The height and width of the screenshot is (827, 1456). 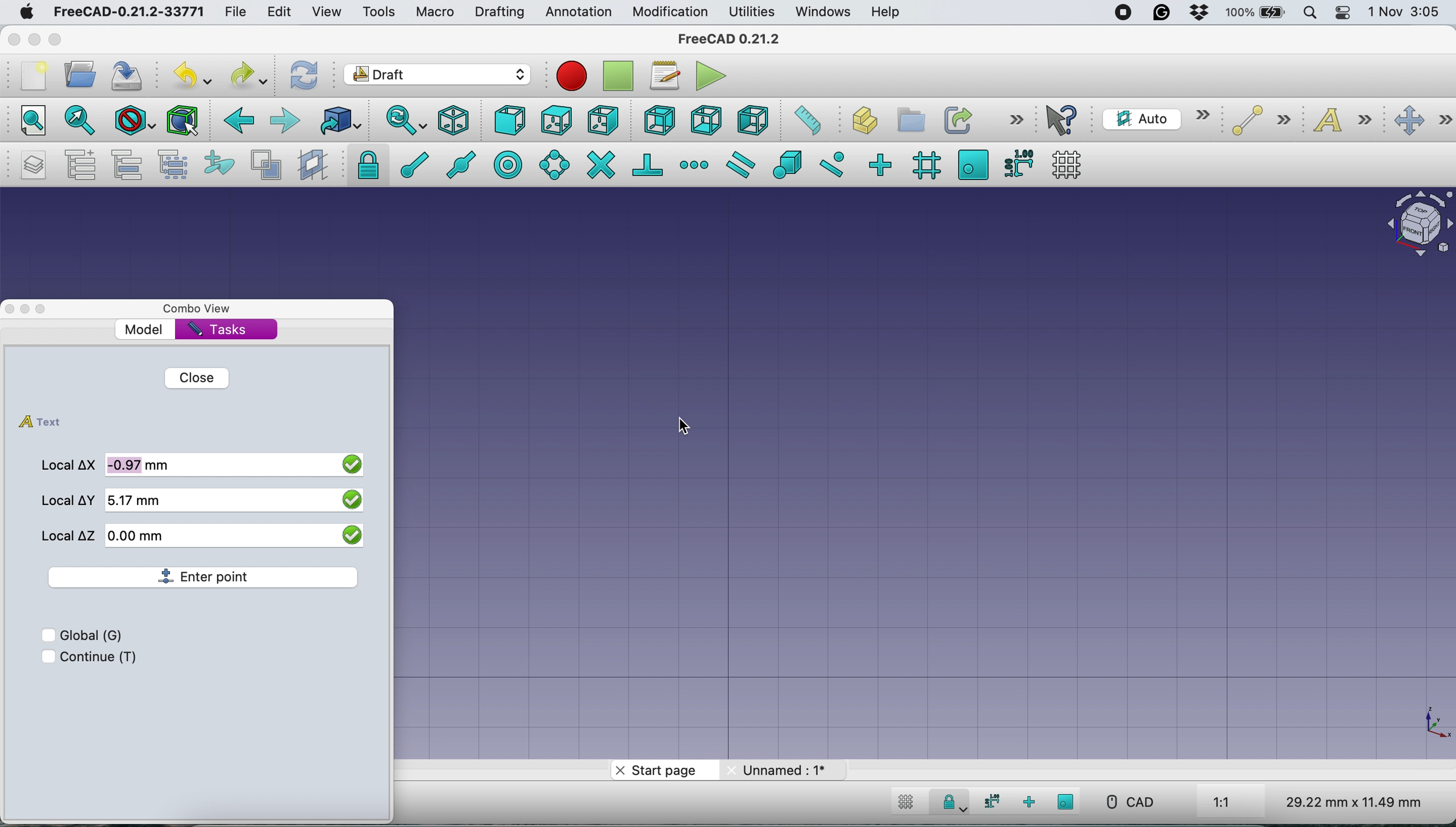 What do you see at coordinates (126, 13) in the screenshot?
I see `freecad` at bounding box center [126, 13].